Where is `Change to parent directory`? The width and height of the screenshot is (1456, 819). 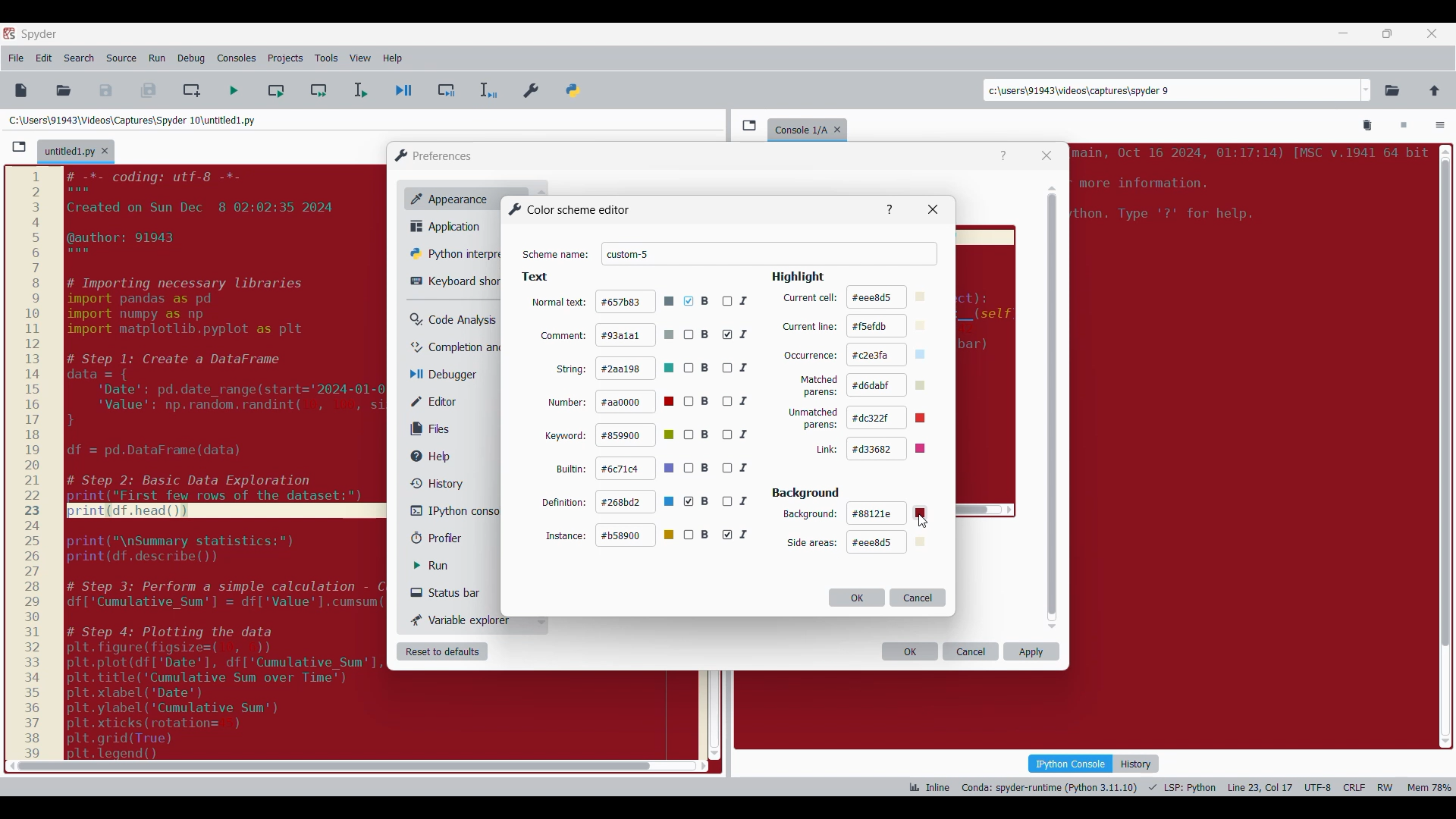
Change to parent directory is located at coordinates (1435, 90).